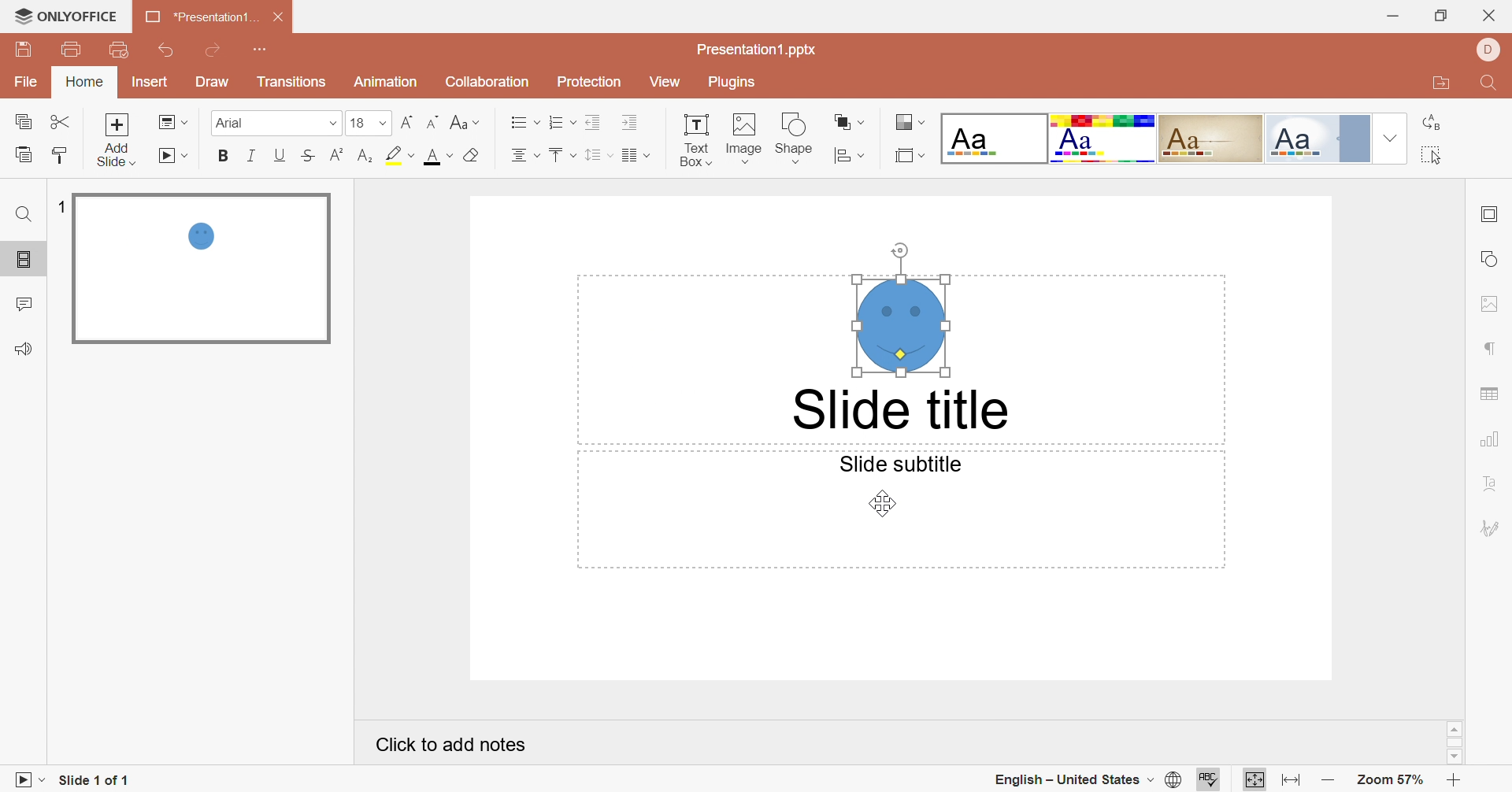  I want to click on Insert columns, so click(636, 155).